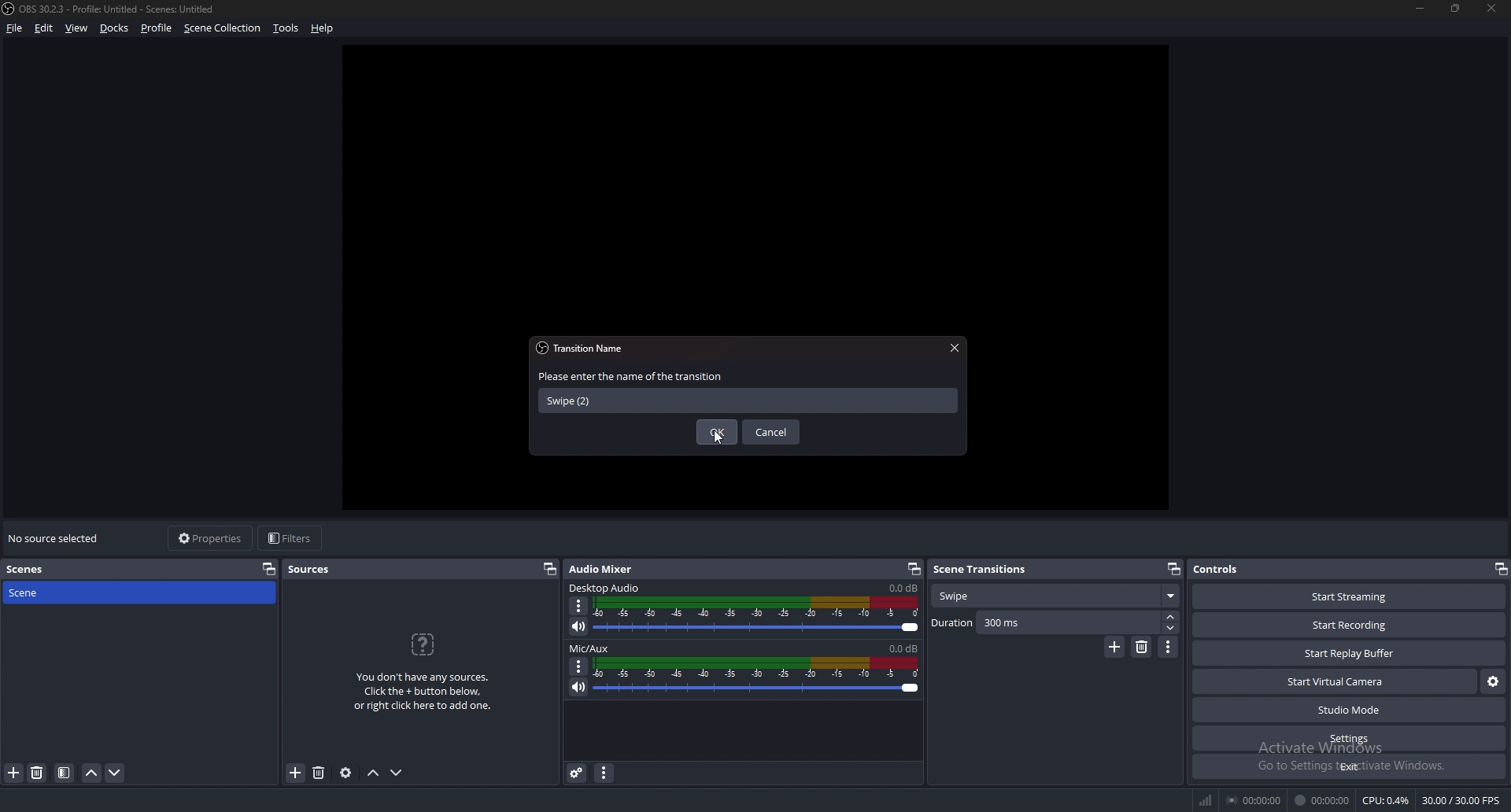  What do you see at coordinates (1169, 647) in the screenshot?
I see `transition properties` at bounding box center [1169, 647].